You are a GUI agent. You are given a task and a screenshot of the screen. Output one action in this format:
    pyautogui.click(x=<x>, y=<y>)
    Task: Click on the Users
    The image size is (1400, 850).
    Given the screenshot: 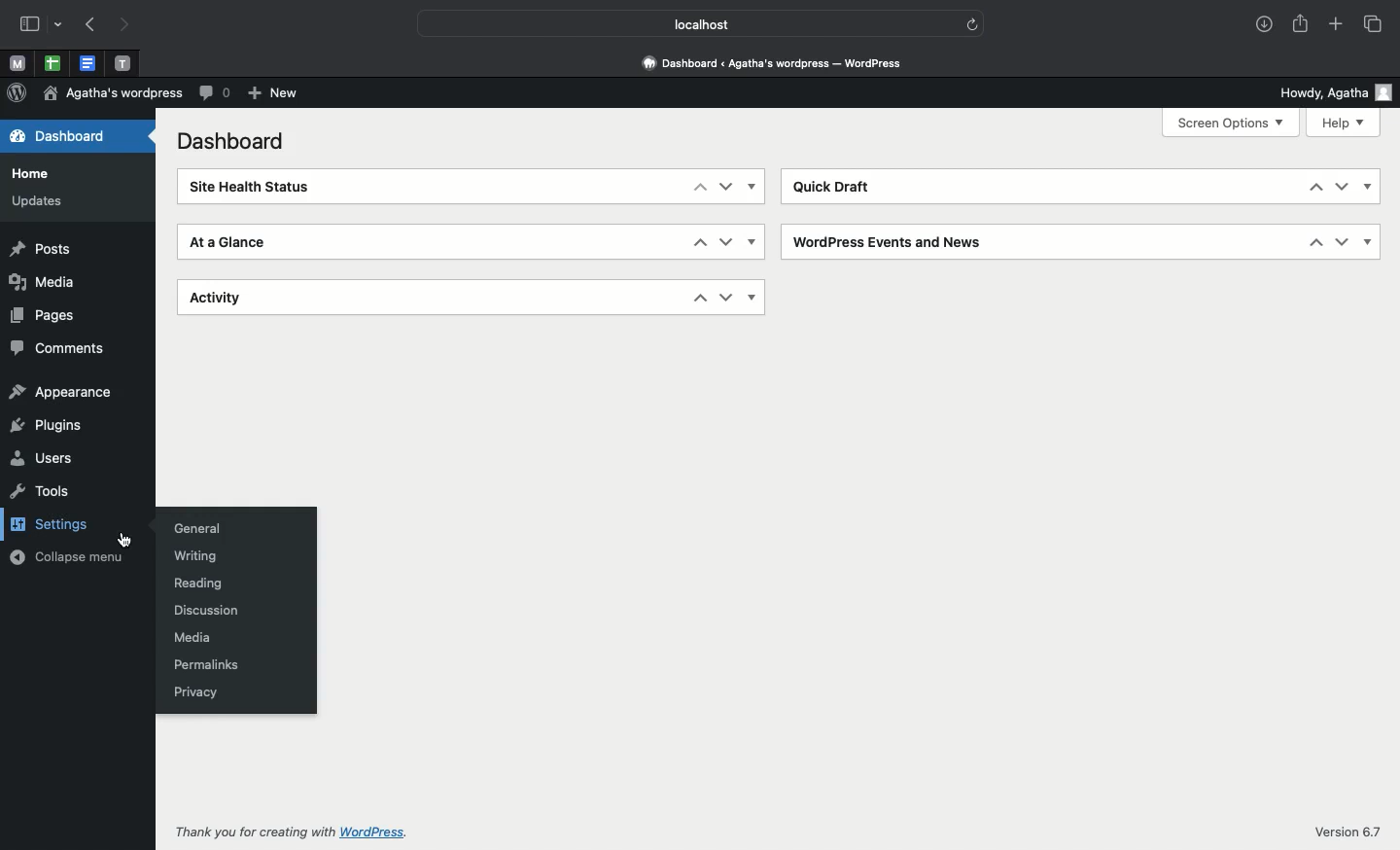 What is the action you would take?
    pyautogui.click(x=45, y=460)
    